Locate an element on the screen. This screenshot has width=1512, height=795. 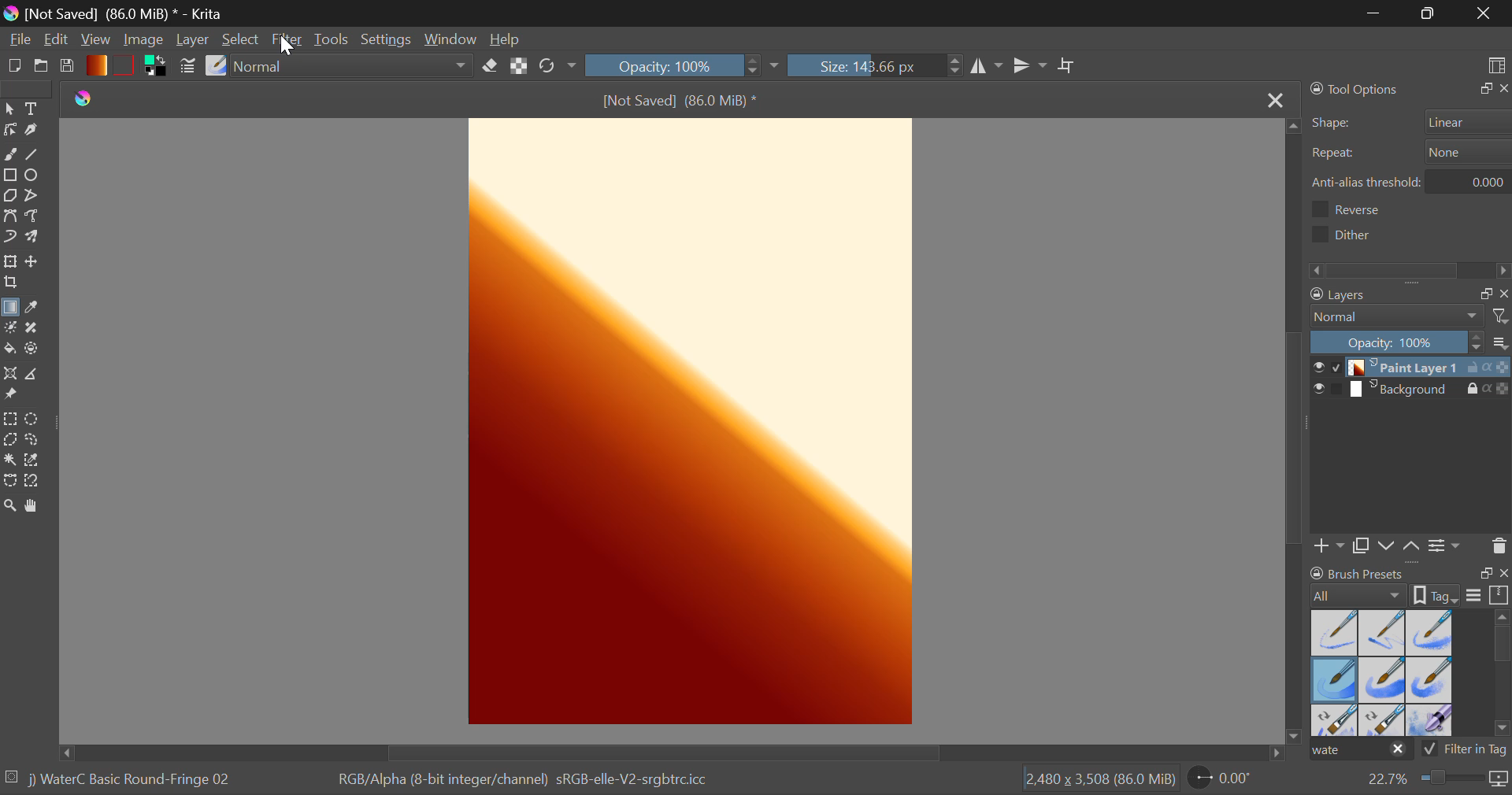
Brush presets is located at coordinates (1360, 572).